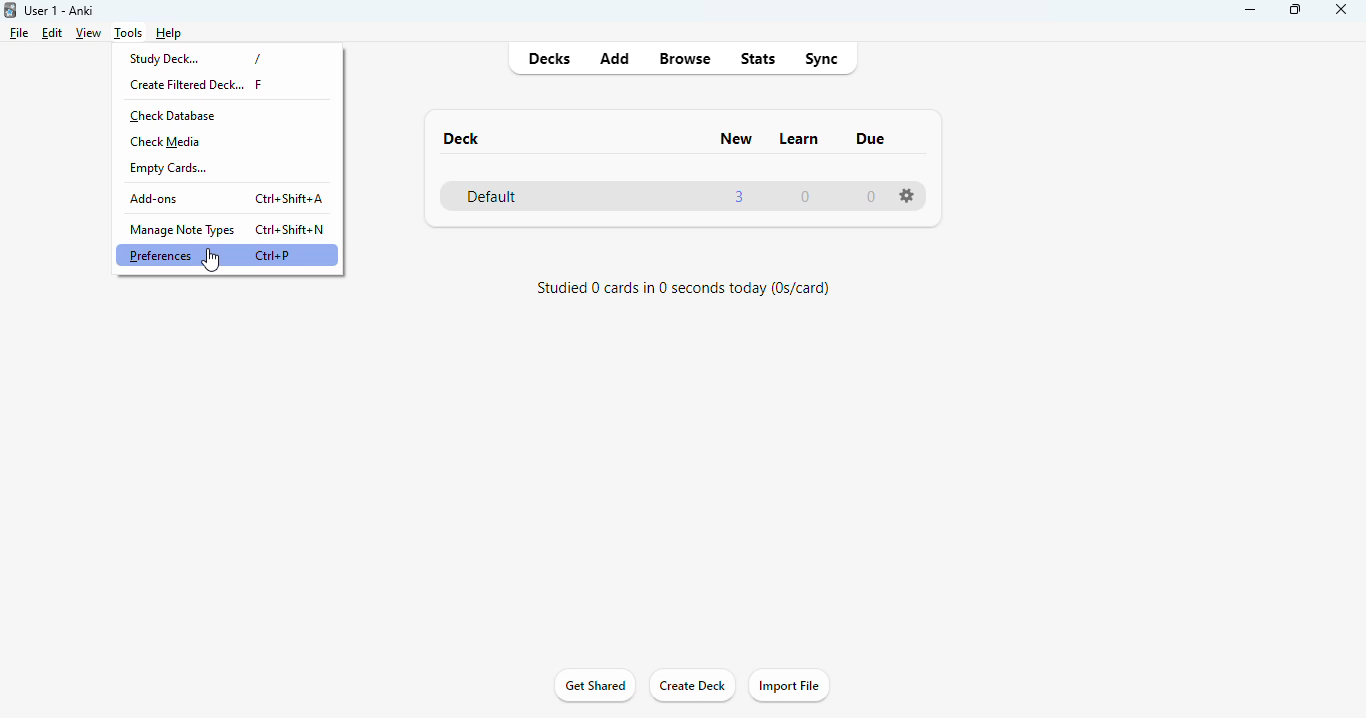  What do you see at coordinates (551, 58) in the screenshot?
I see `decks` at bounding box center [551, 58].